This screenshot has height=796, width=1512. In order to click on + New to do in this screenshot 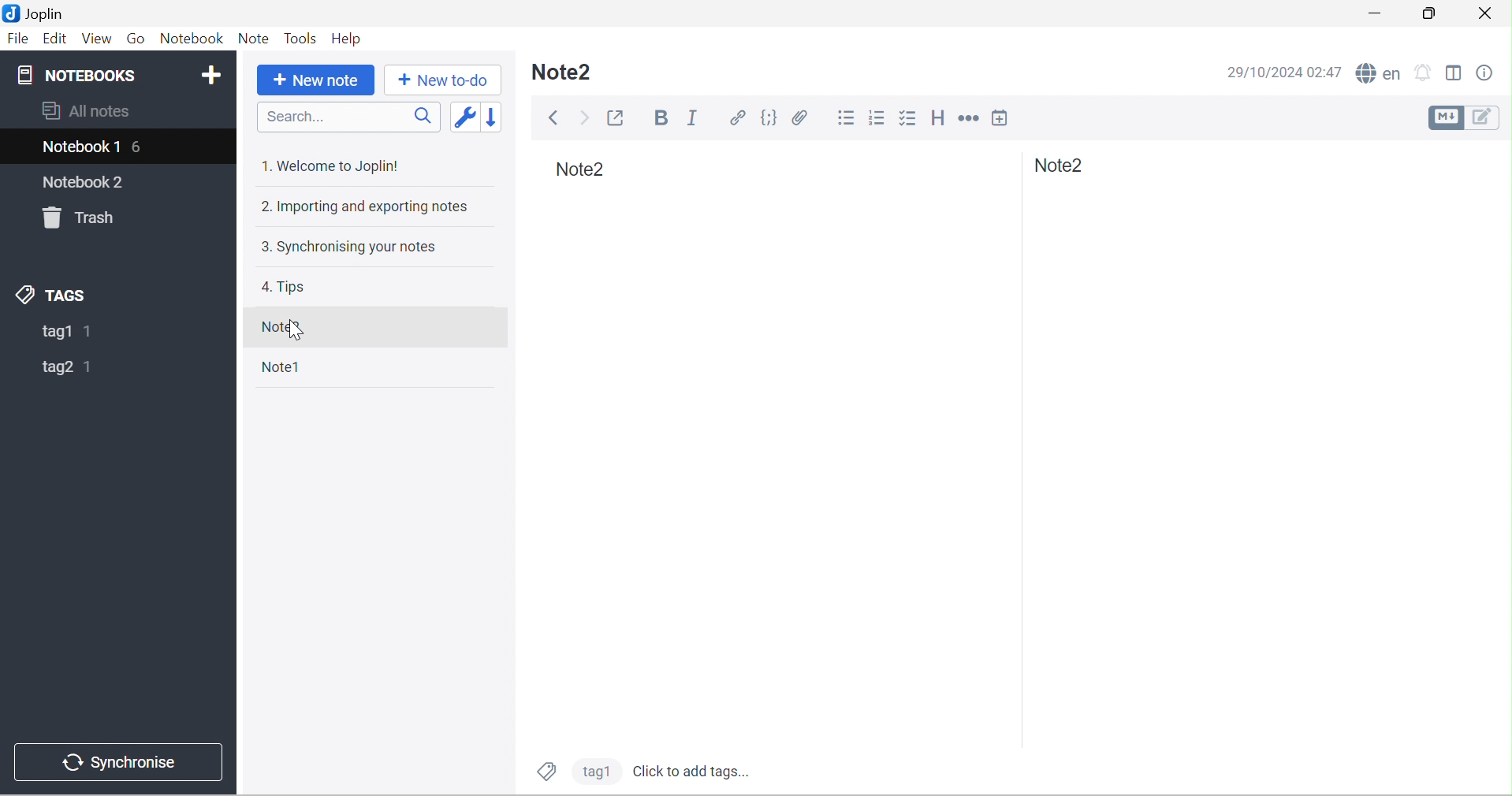, I will do `click(443, 82)`.